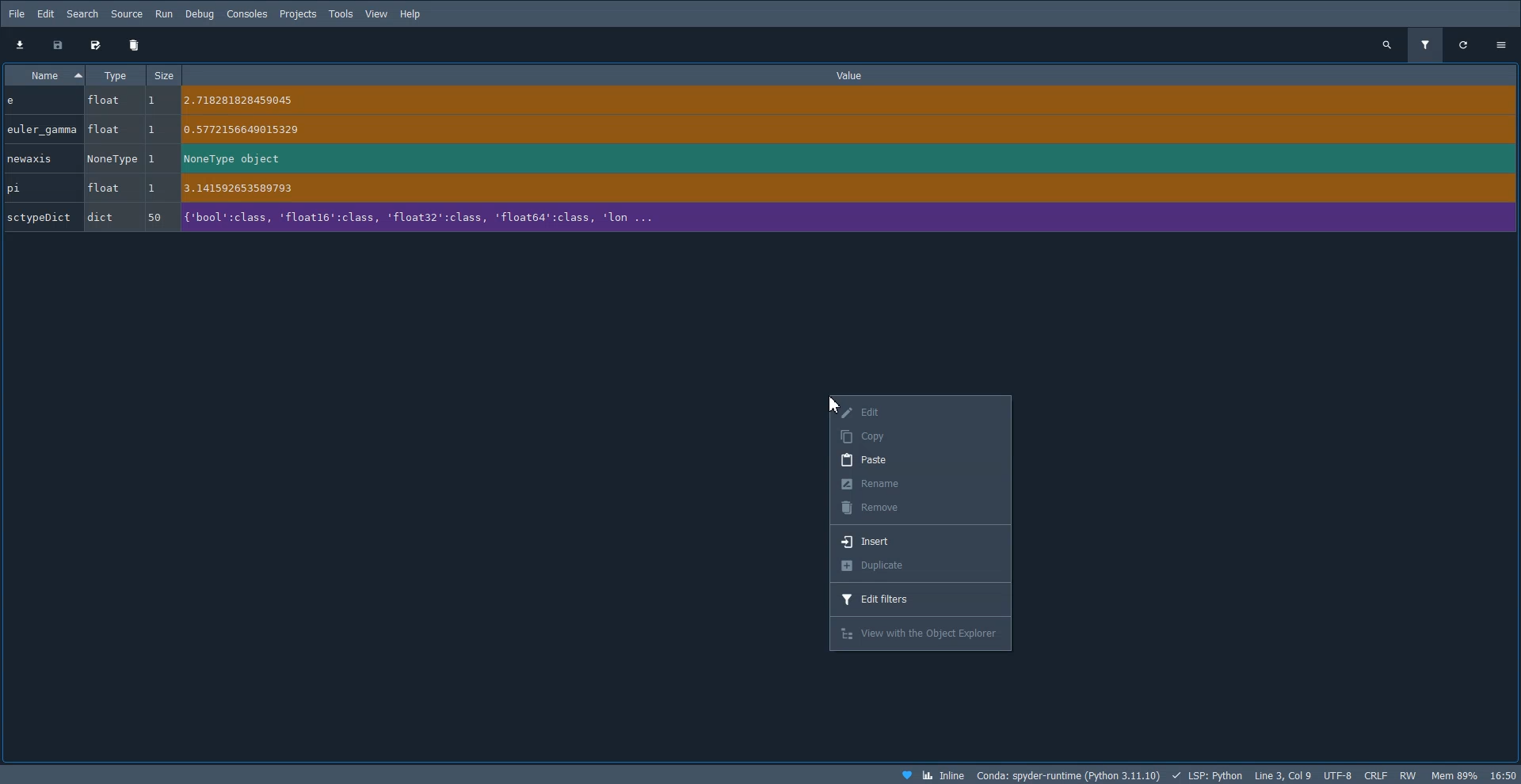 The height and width of the screenshot is (784, 1521). Describe the element at coordinates (298, 13) in the screenshot. I see `Projects` at that location.